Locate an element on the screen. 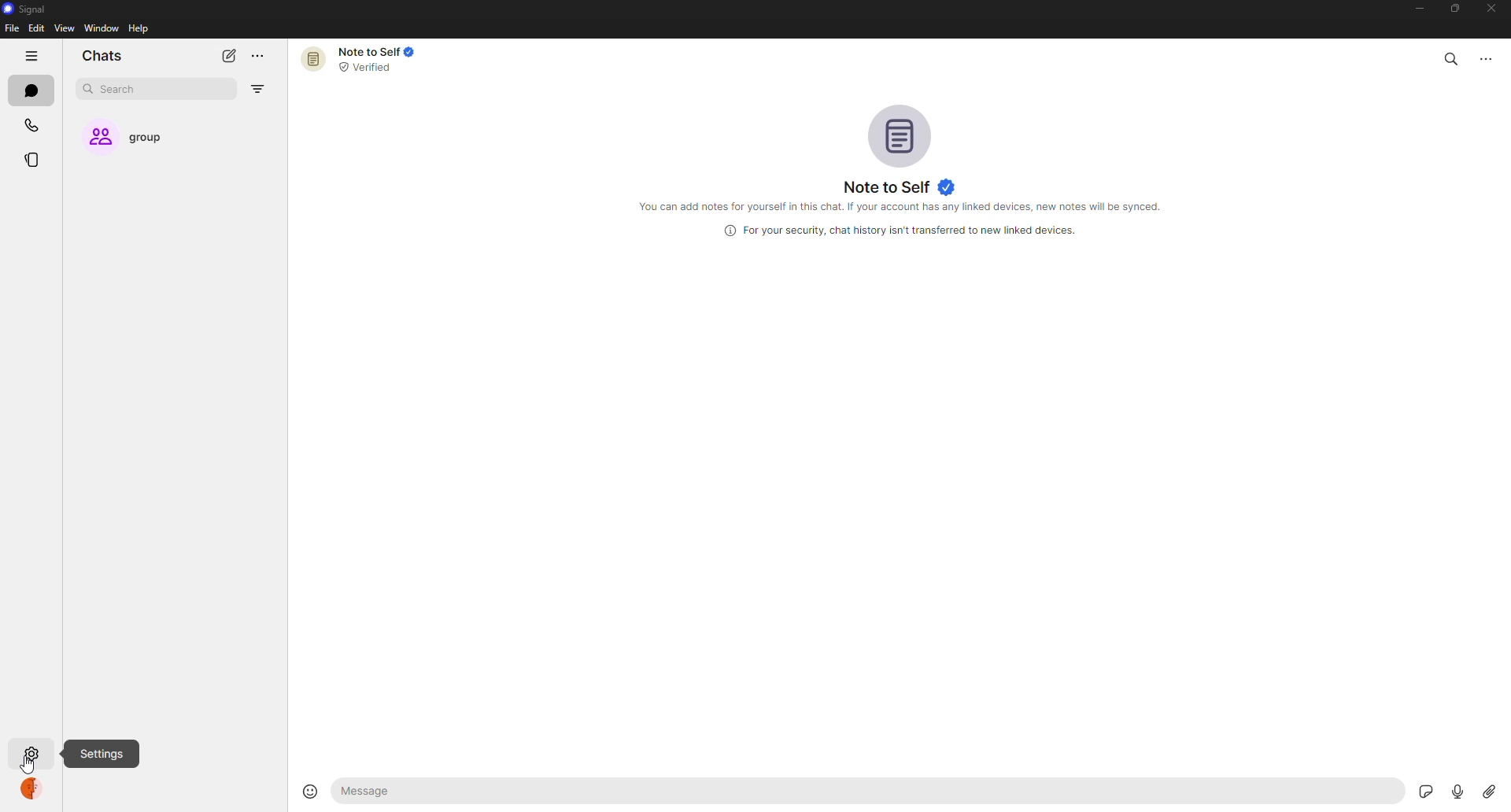  maximize is located at coordinates (1451, 9).